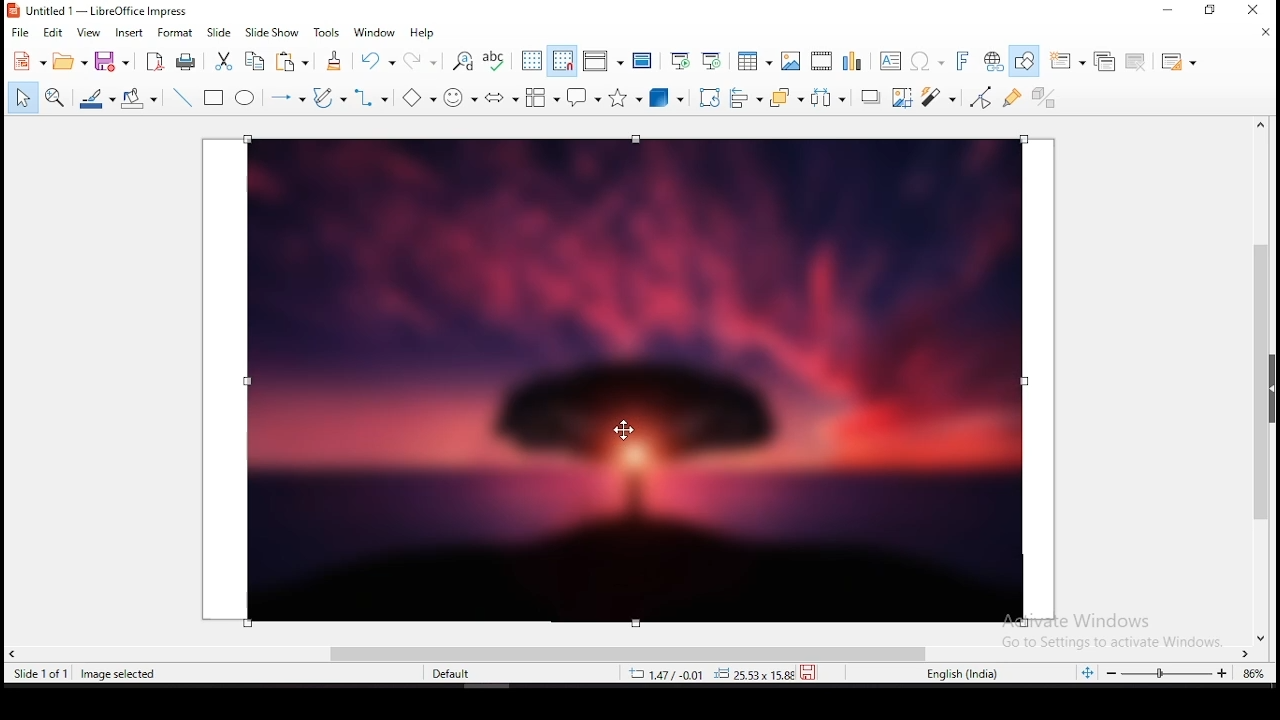  I want to click on basic shapes, so click(419, 97).